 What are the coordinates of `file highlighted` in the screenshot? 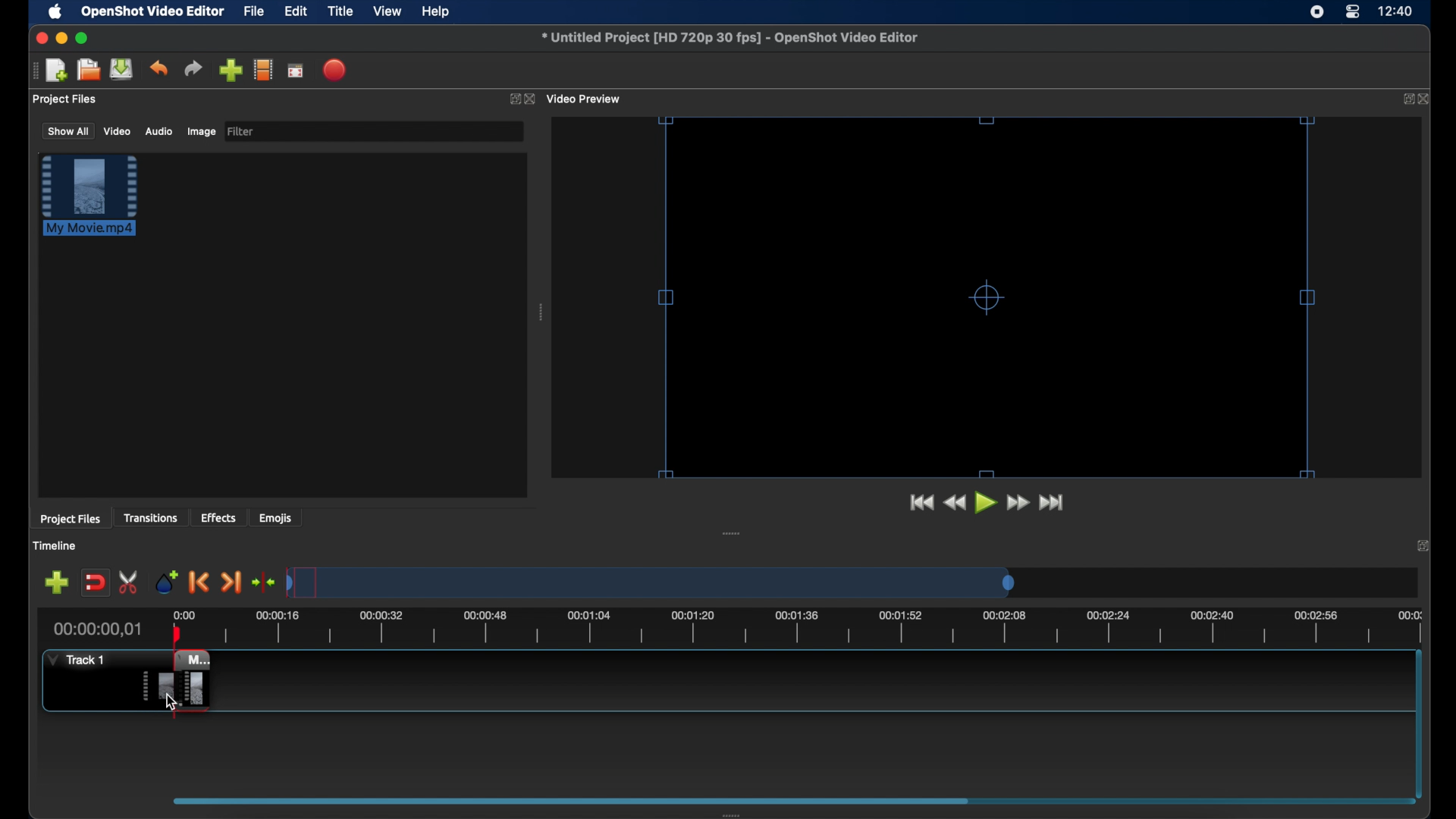 It's located at (89, 195).